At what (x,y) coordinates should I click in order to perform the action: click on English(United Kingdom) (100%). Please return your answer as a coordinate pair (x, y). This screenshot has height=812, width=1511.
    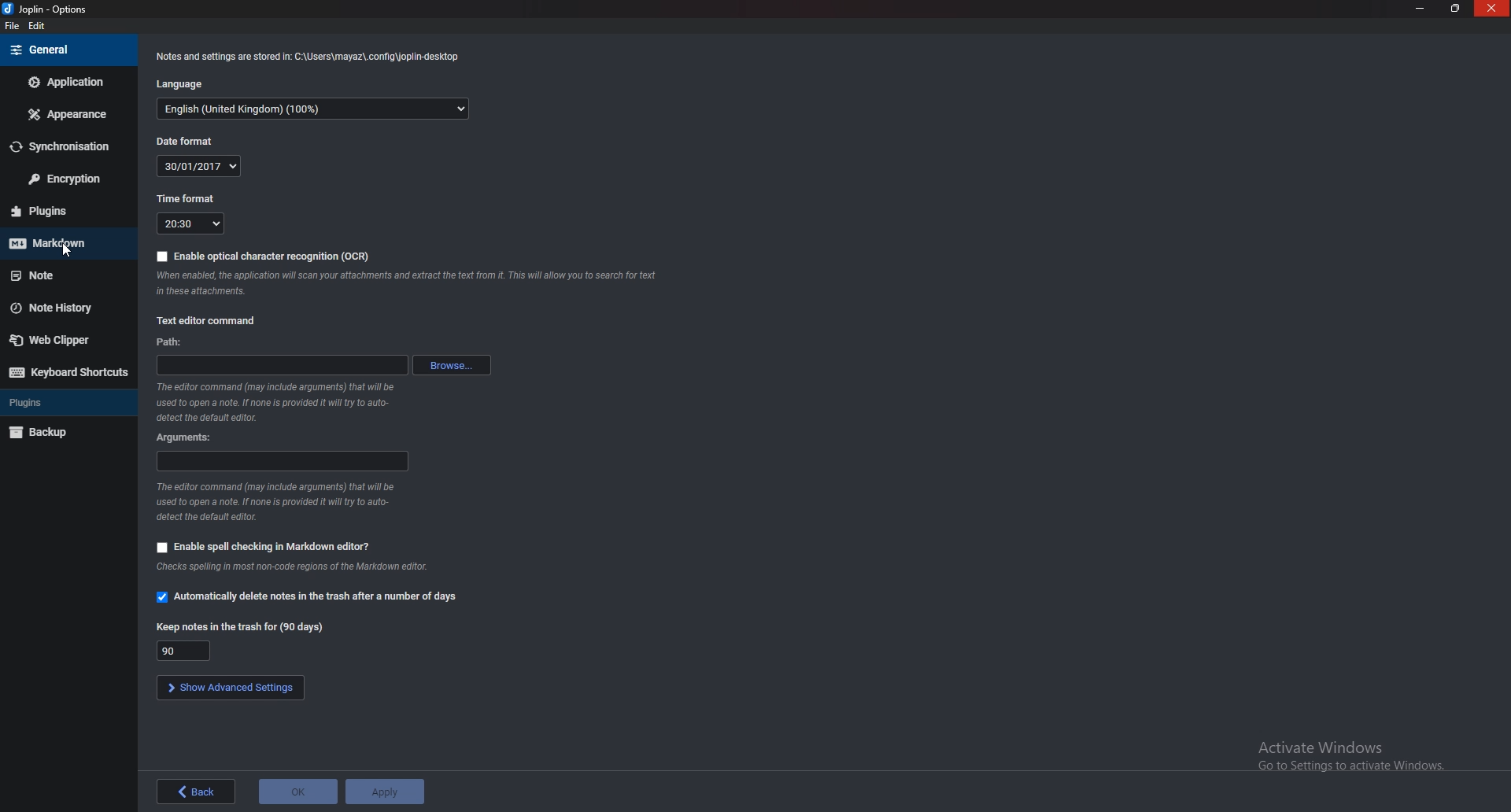
    Looking at the image, I should click on (312, 109).